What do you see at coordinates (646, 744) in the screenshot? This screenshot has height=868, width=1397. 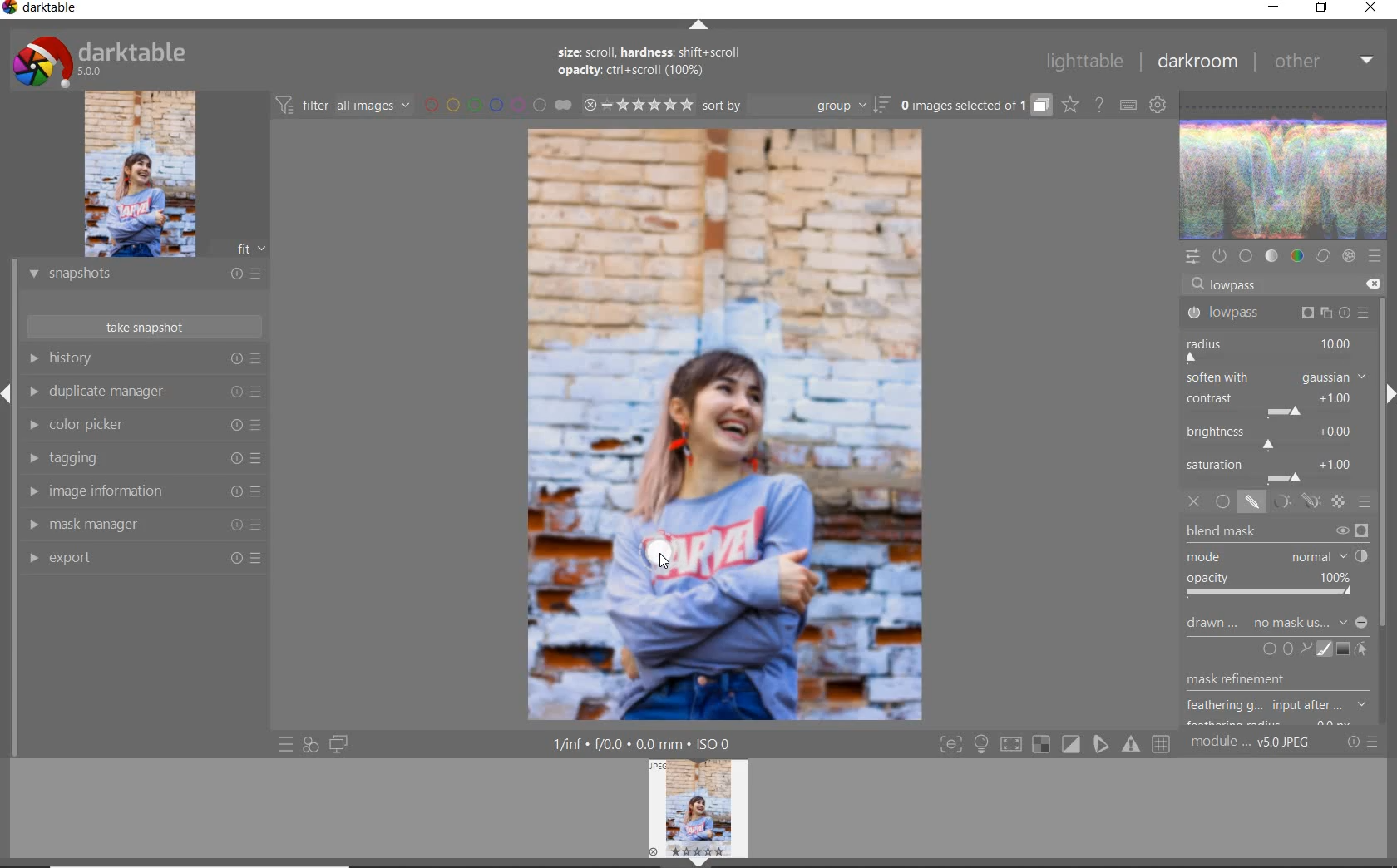 I see `1/inf*f/0.0 mm*ISO 0` at bounding box center [646, 744].